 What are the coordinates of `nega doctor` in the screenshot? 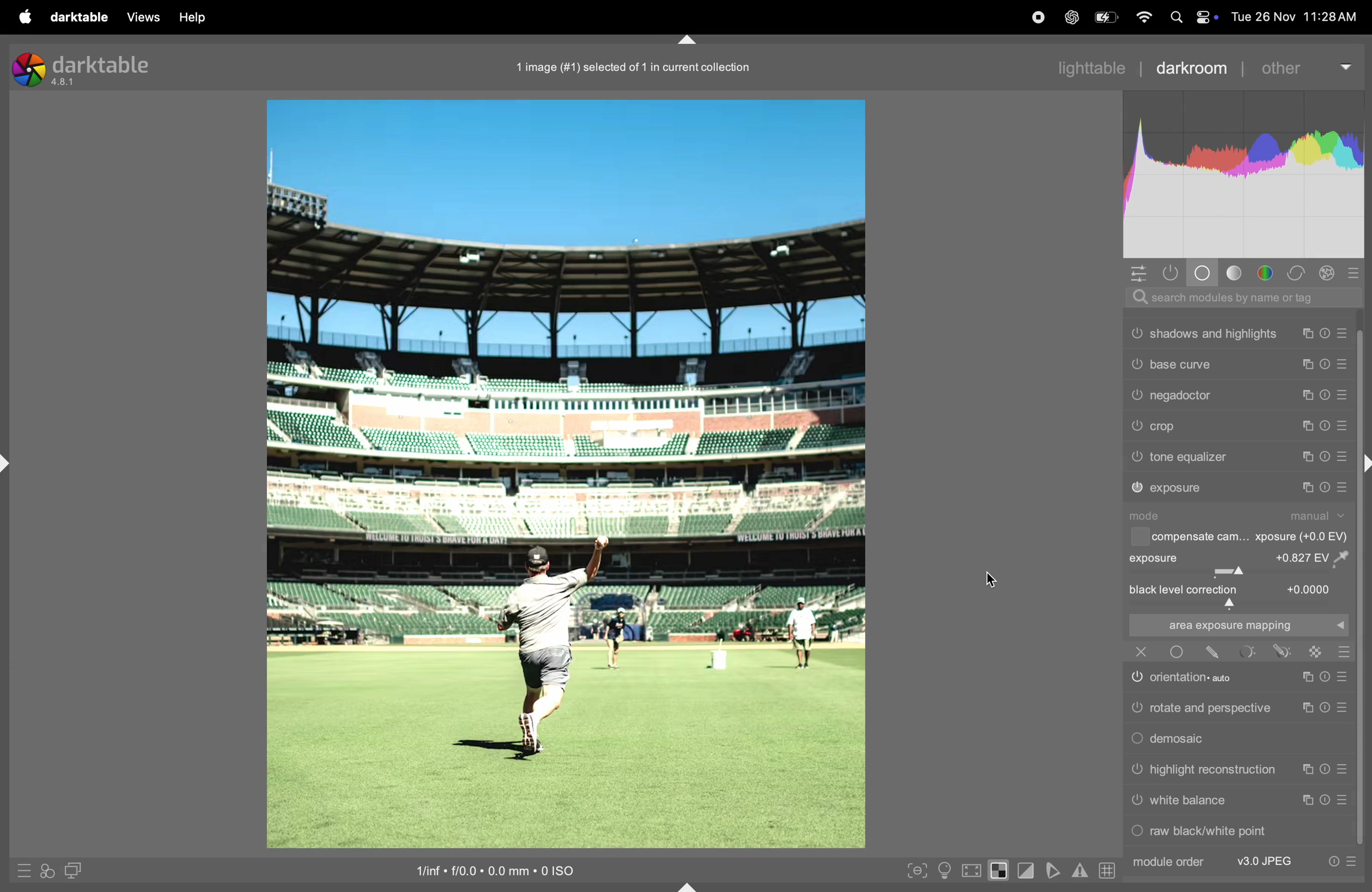 It's located at (1183, 398).